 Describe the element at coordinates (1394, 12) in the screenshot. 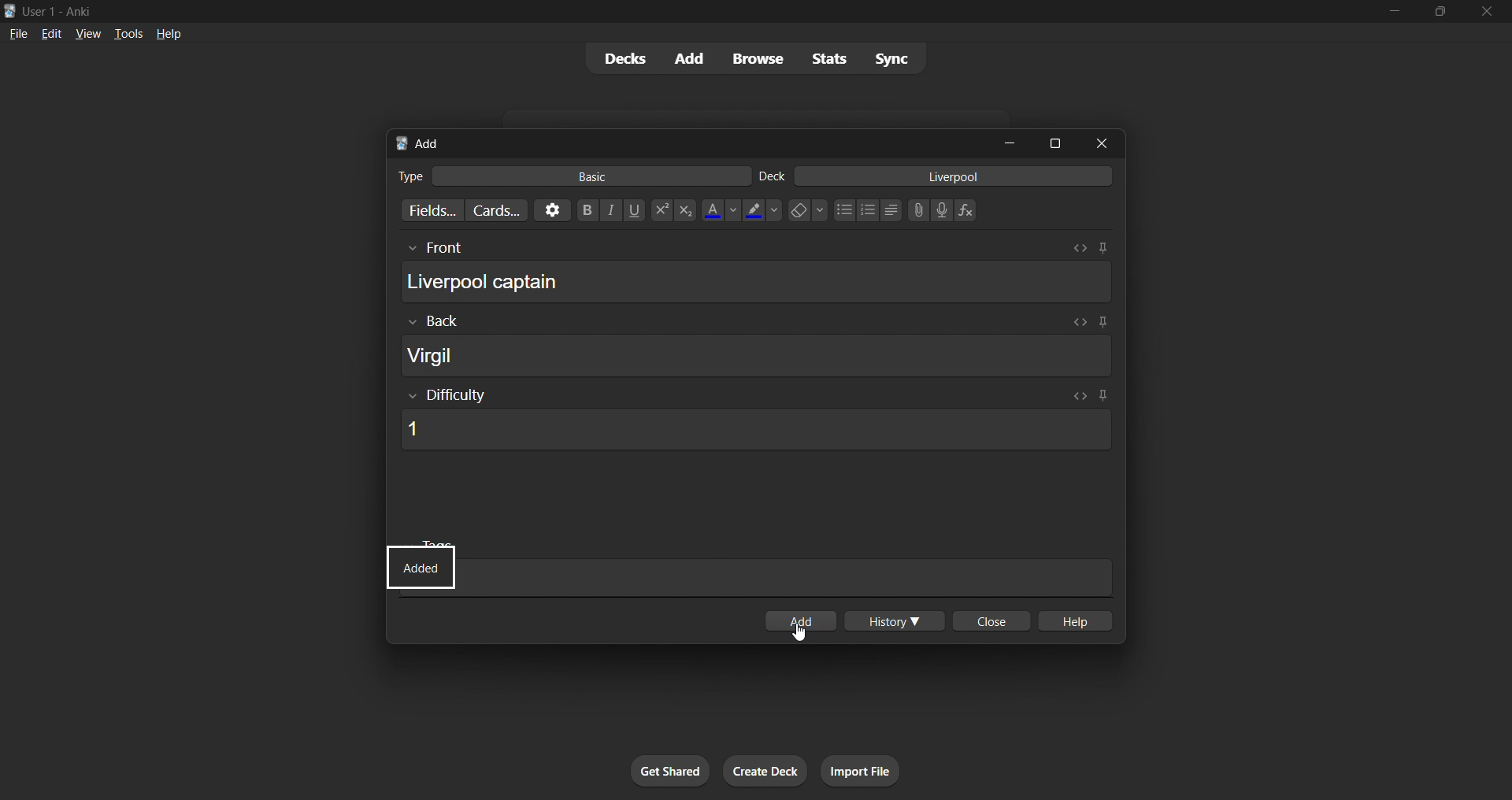

I see `minimize` at that location.